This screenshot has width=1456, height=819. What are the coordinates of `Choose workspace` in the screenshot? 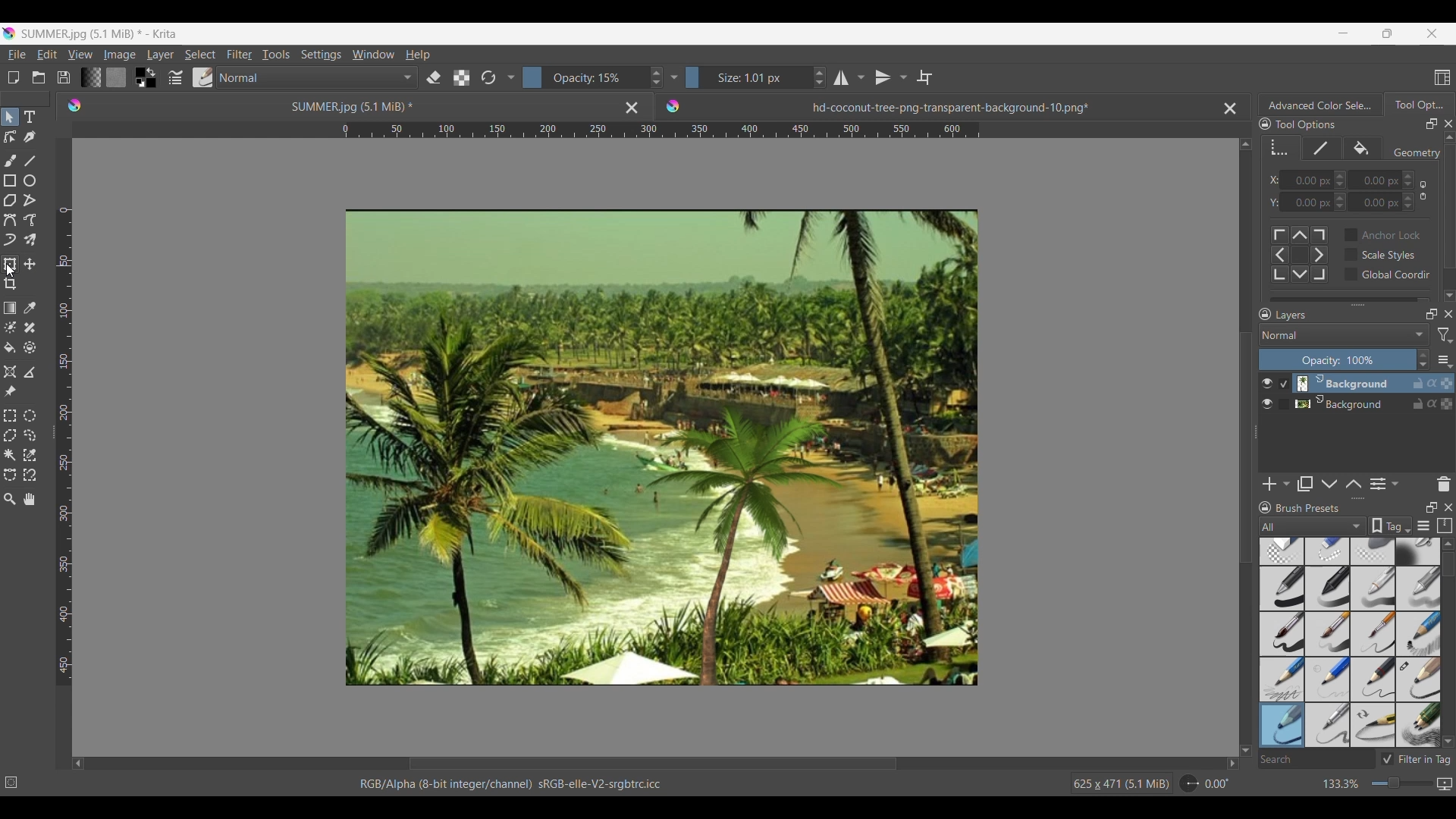 It's located at (1442, 77).